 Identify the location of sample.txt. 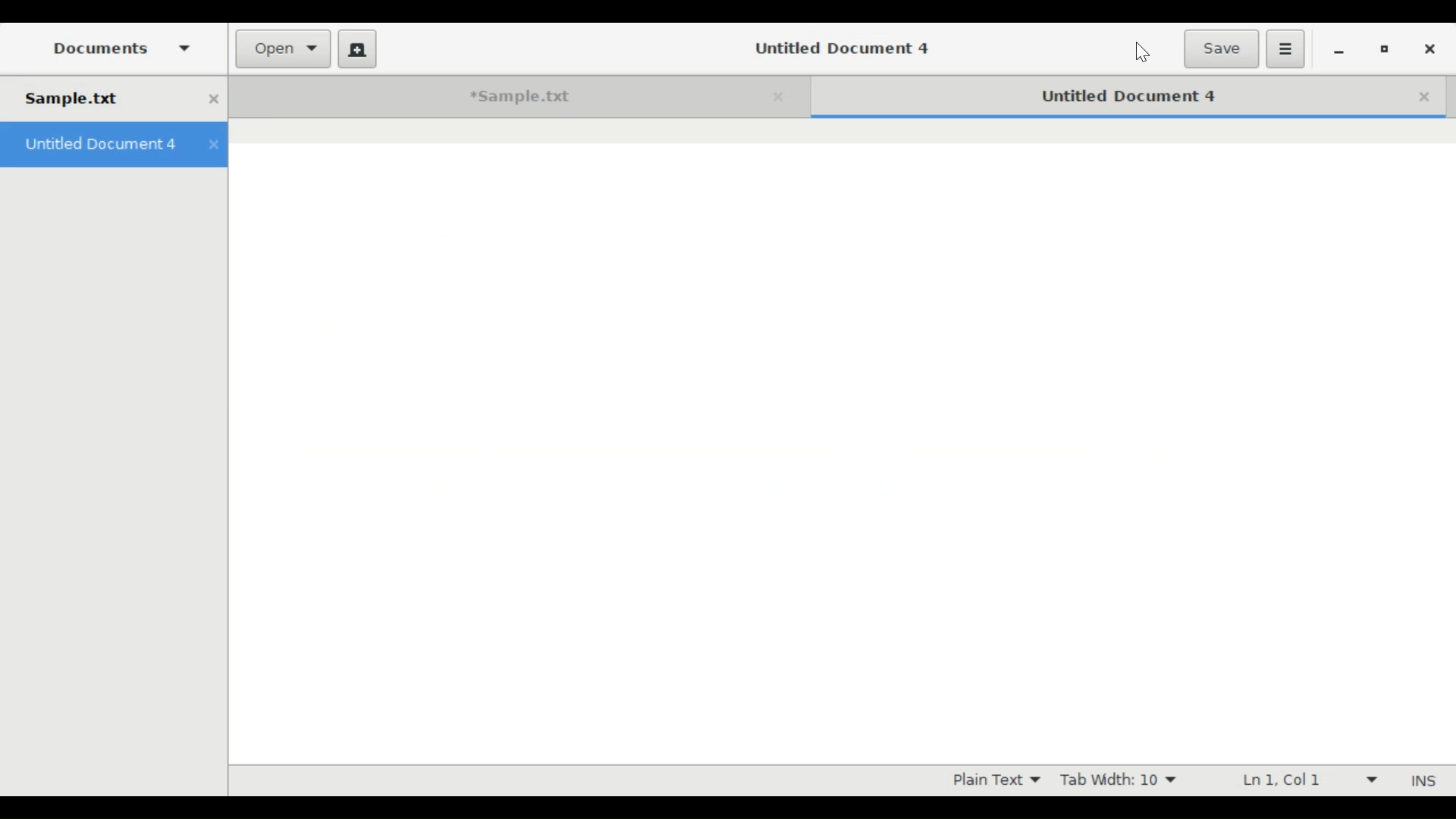
(99, 99).